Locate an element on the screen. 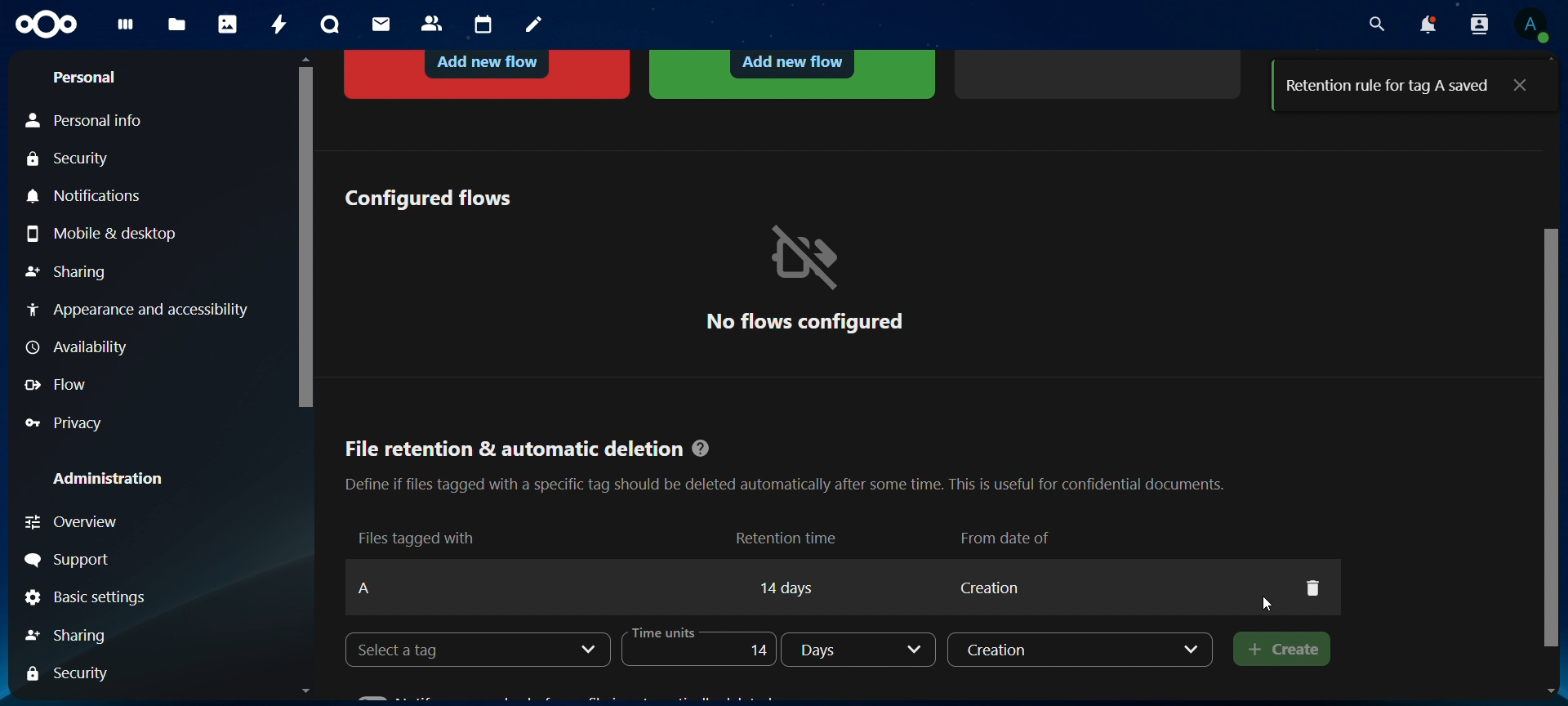  mobile & desktop is located at coordinates (106, 233).